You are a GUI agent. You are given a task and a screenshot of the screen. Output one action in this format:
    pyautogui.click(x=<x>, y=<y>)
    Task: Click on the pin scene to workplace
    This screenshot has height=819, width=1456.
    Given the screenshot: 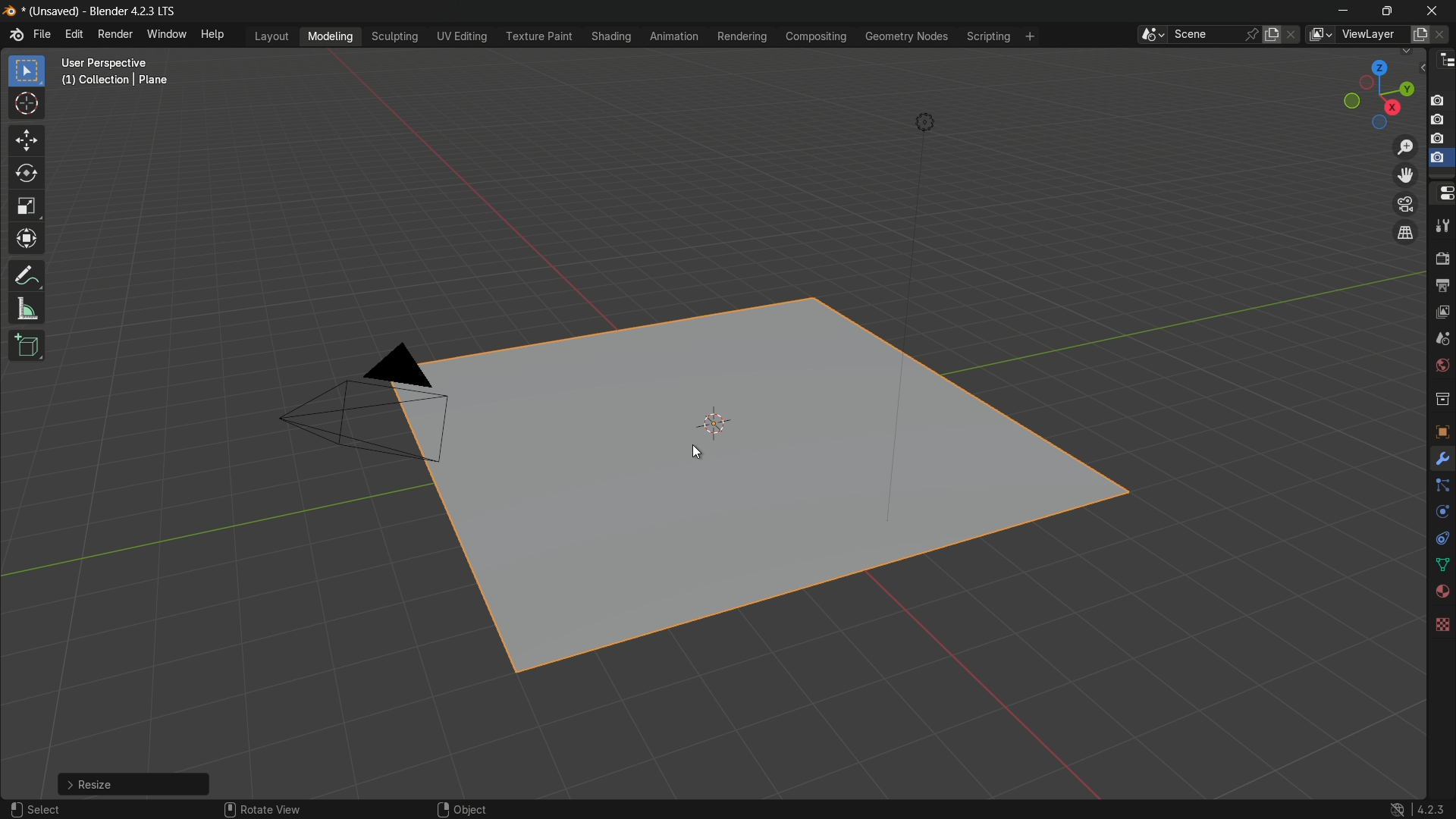 What is the action you would take?
    pyautogui.click(x=1251, y=36)
    